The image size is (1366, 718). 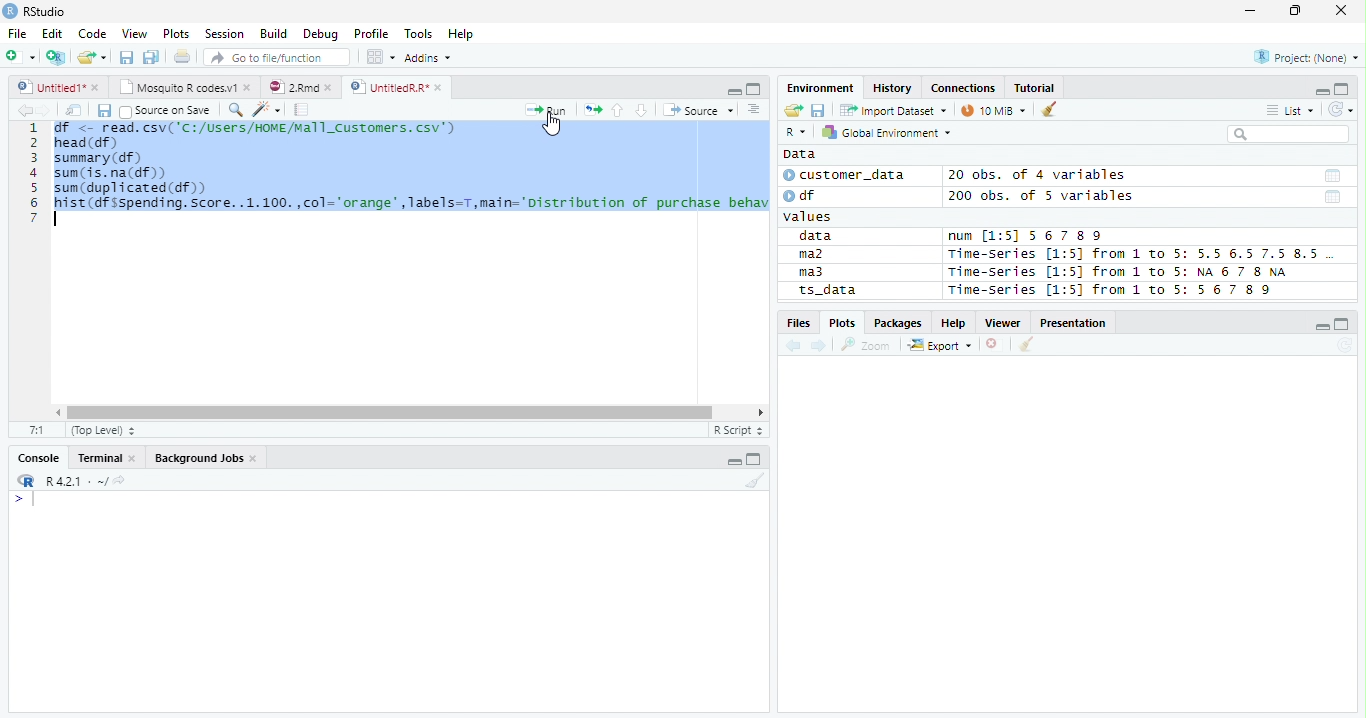 I want to click on Date, so click(x=1333, y=198).